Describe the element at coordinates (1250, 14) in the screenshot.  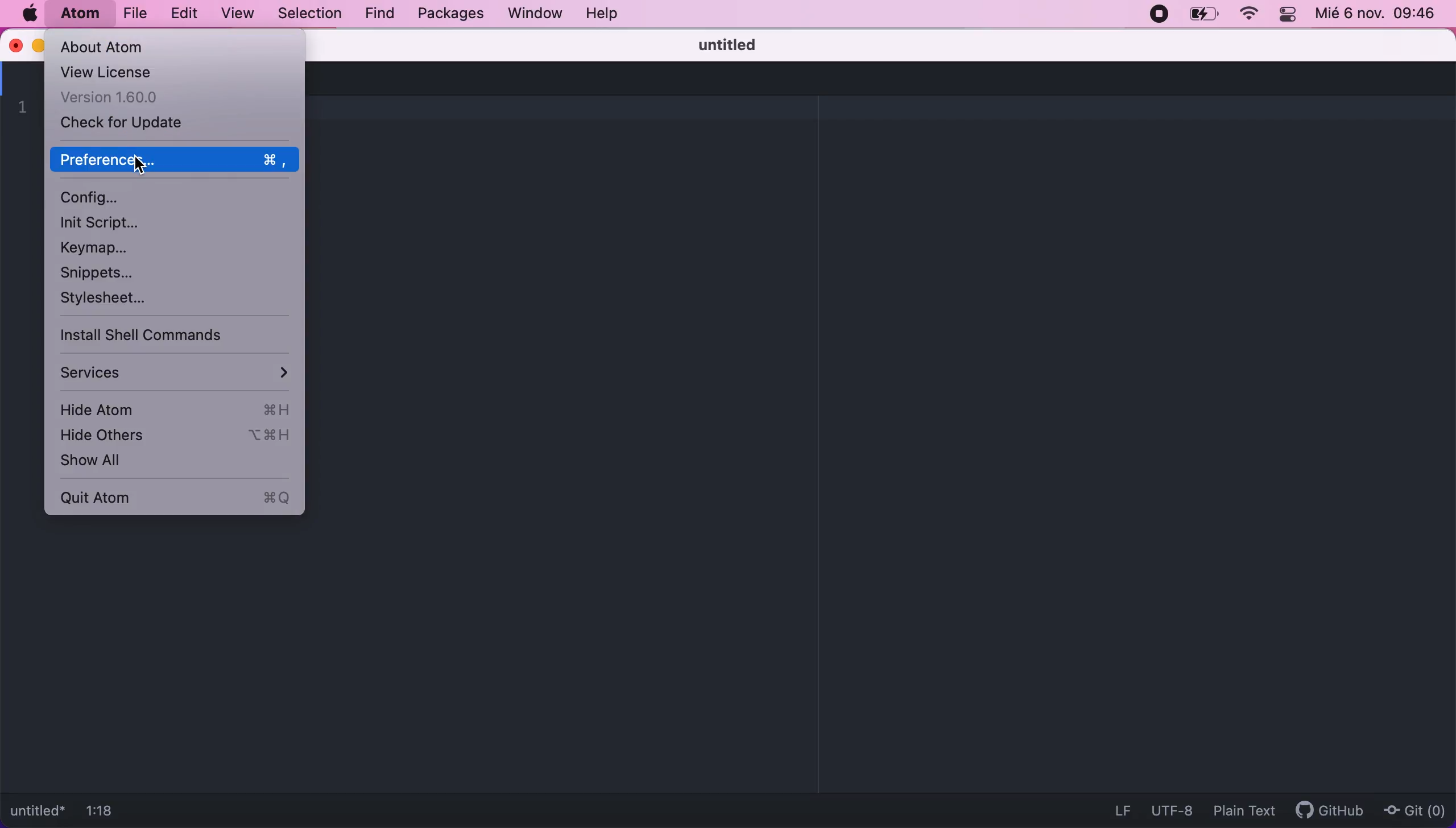
I see `wifi` at that location.